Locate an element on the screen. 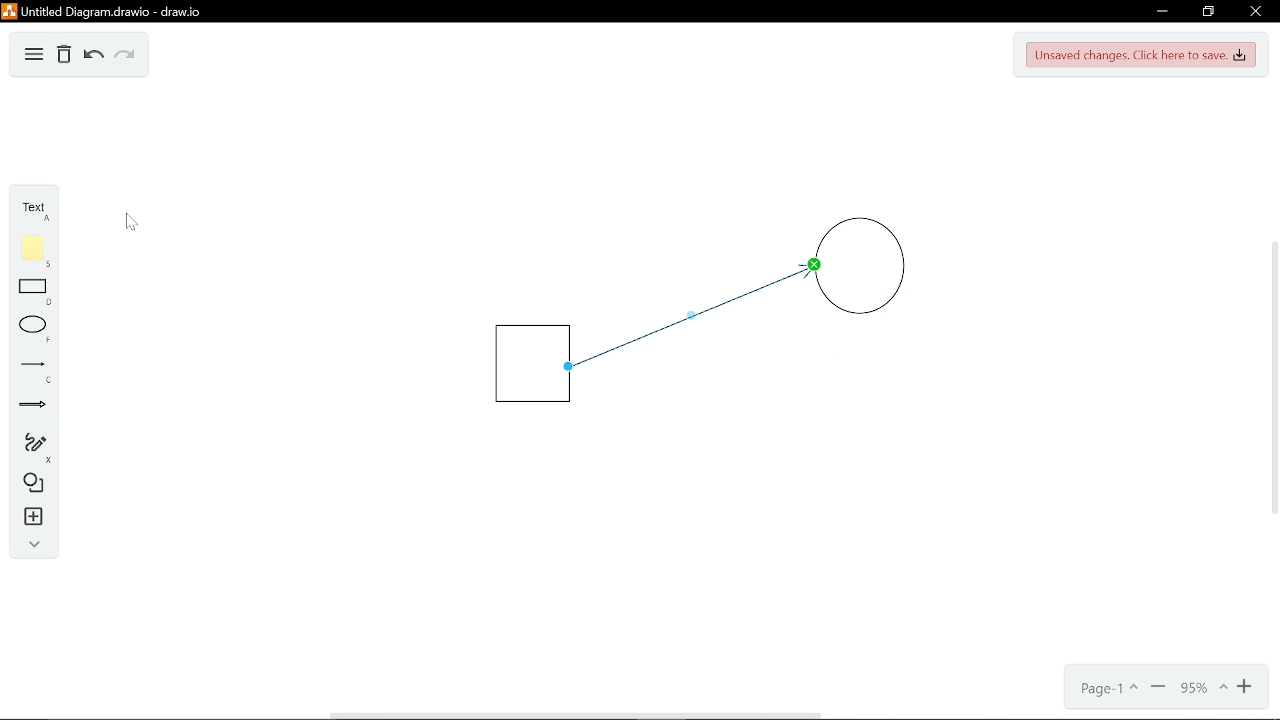 The width and height of the screenshot is (1280, 720). Text is located at coordinates (26, 206).